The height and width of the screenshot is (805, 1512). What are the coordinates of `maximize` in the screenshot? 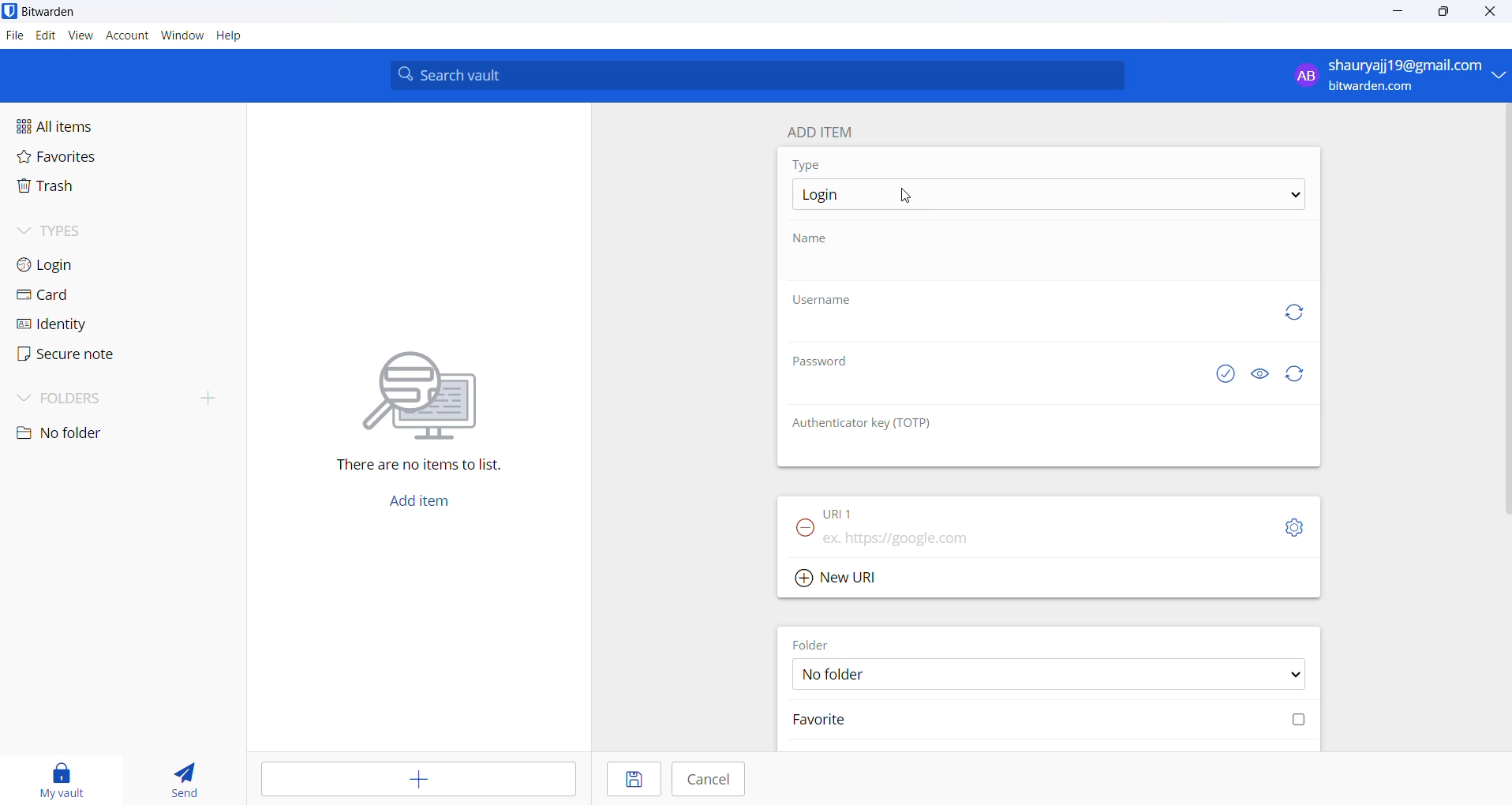 It's located at (1444, 12).